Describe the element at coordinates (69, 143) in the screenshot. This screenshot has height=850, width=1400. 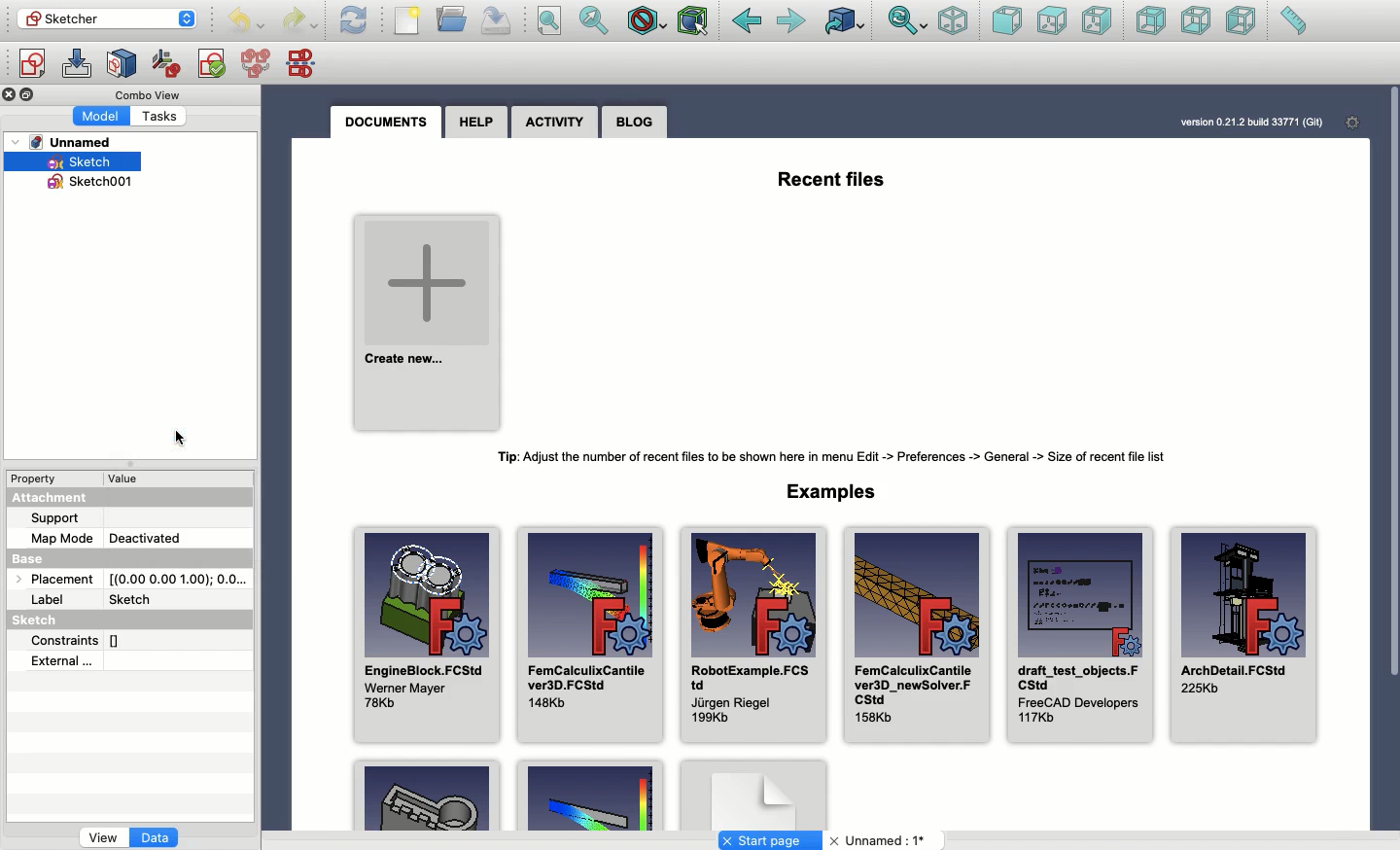
I see `Unnamed` at that location.